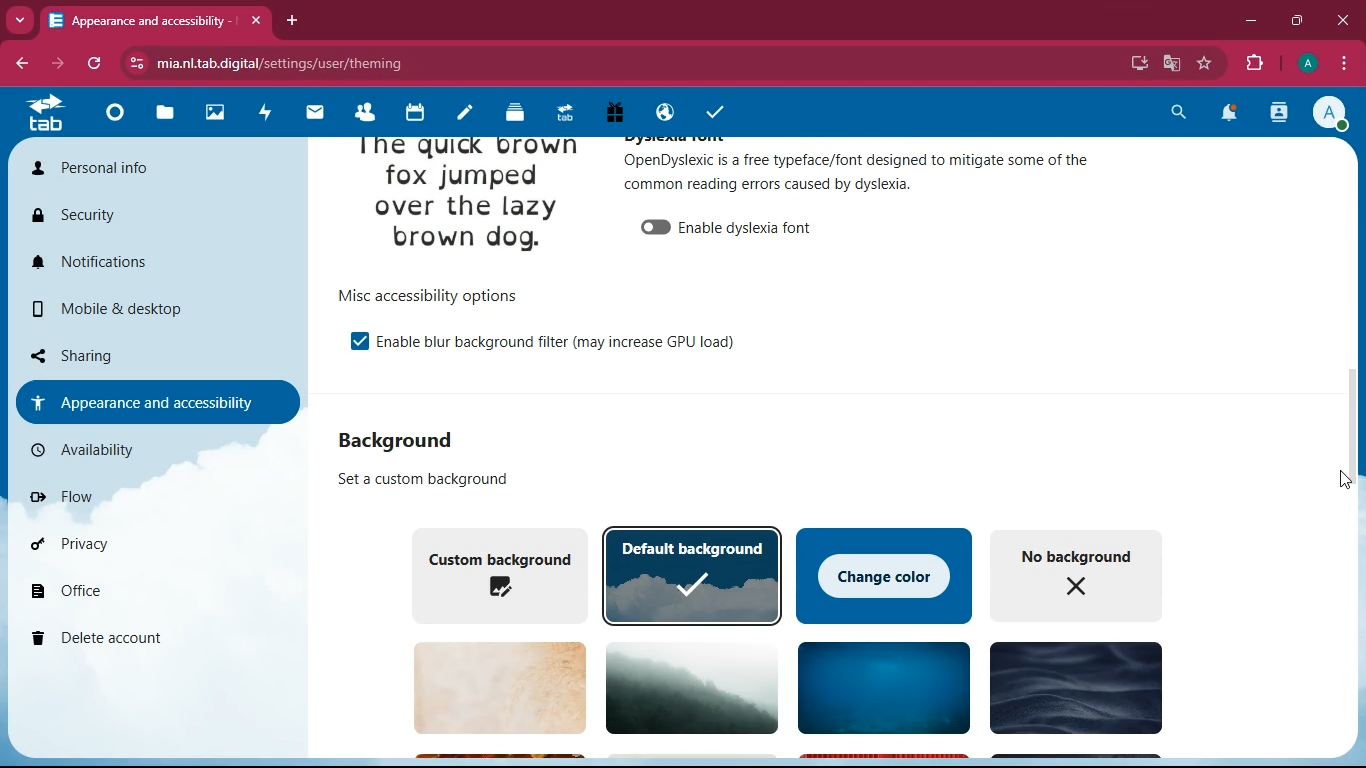  Describe the element at coordinates (1306, 64) in the screenshot. I see `profile` at that location.